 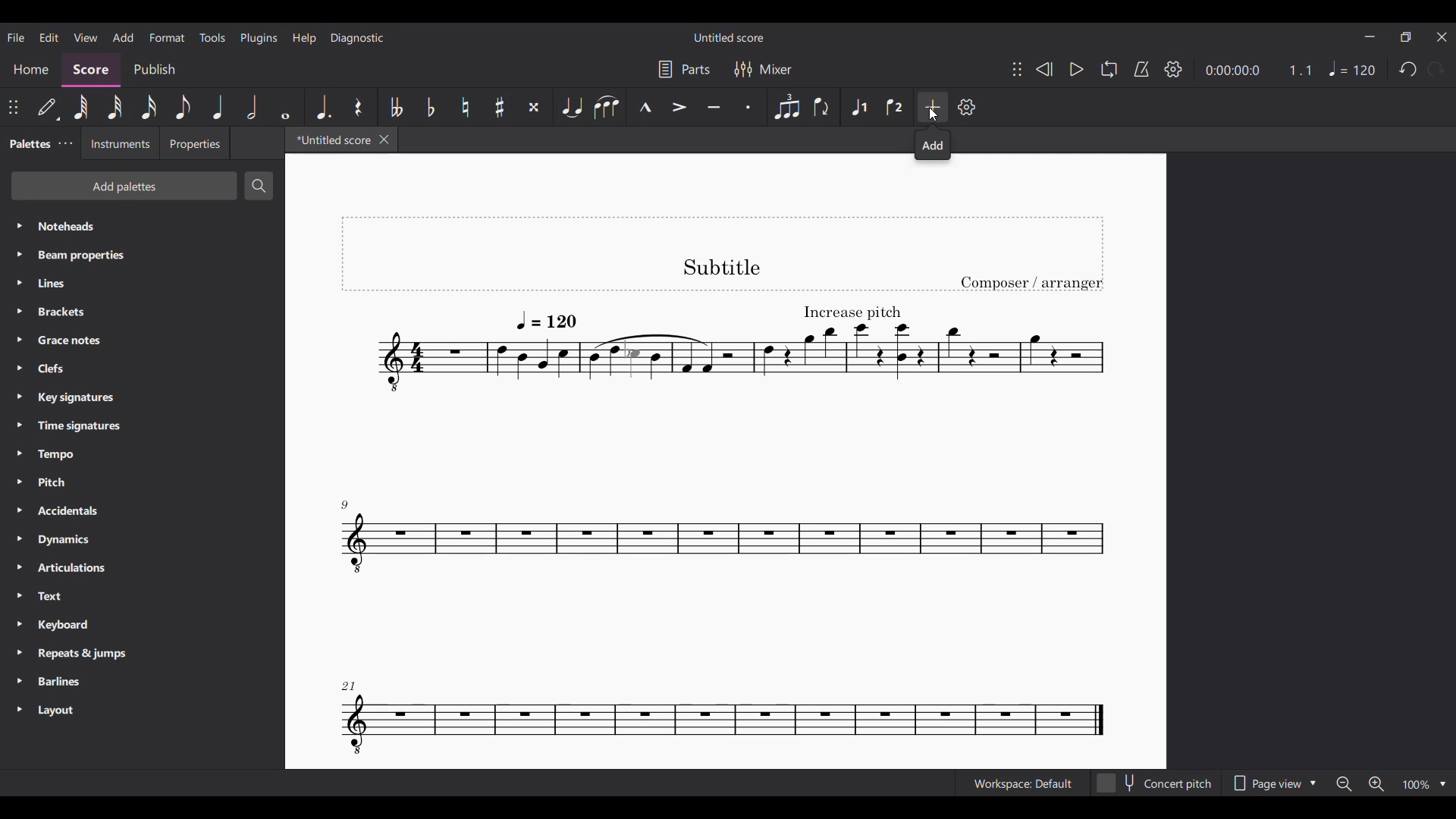 What do you see at coordinates (679, 107) in the screenshot?
I see `Accent` at bounding box center [679, 107].